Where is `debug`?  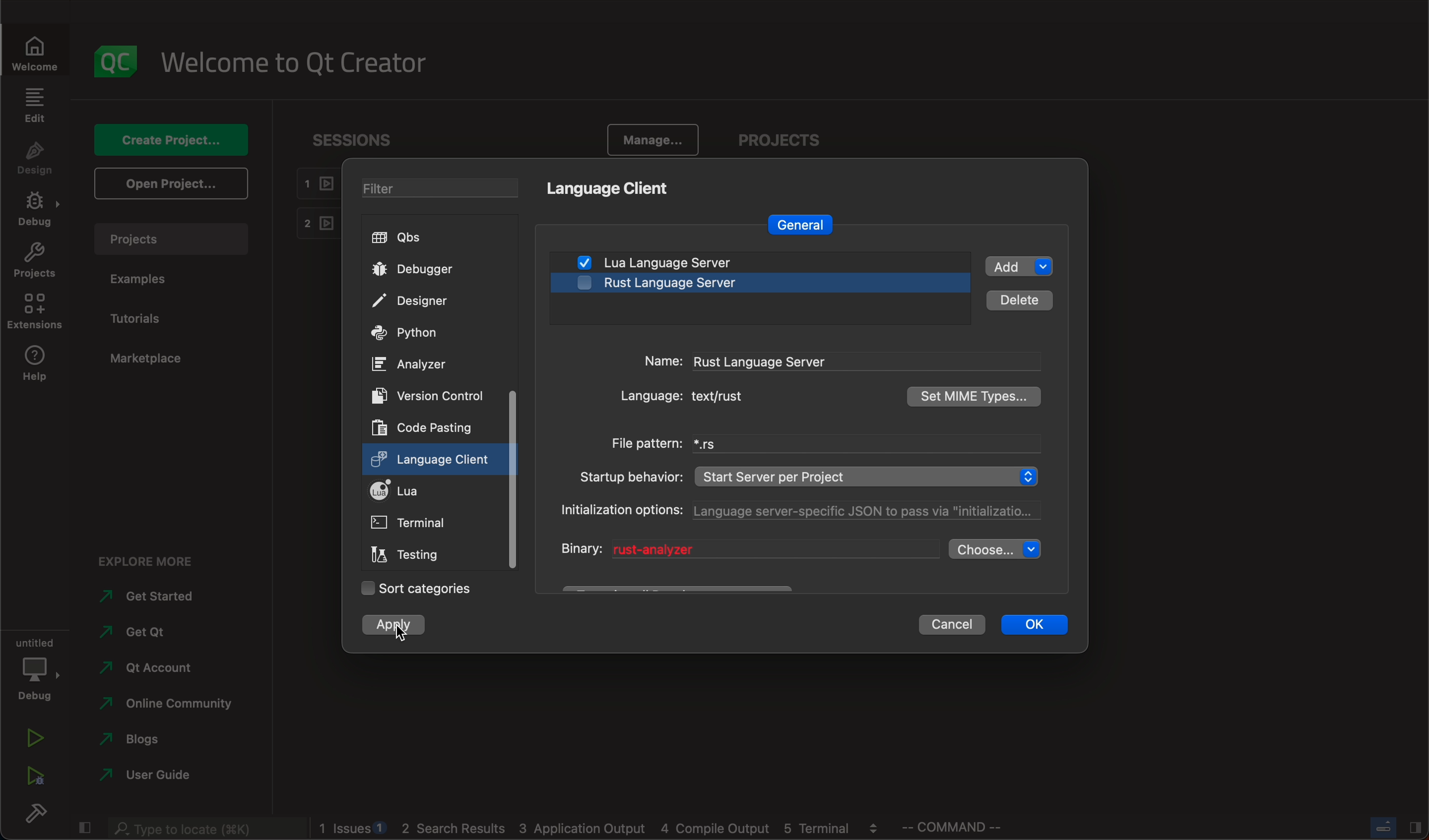
debug is located at coordinates (36, 210).